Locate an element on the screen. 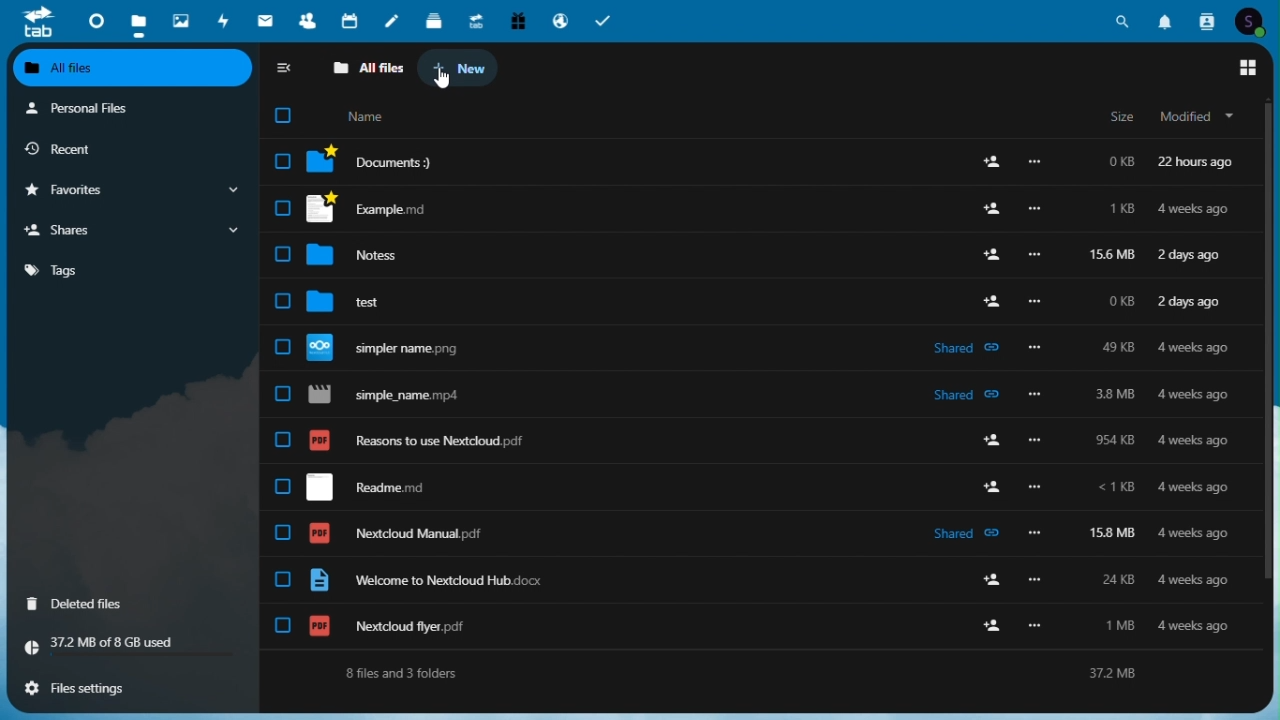  4 weeks ago is located at coordinates (1199, 395).